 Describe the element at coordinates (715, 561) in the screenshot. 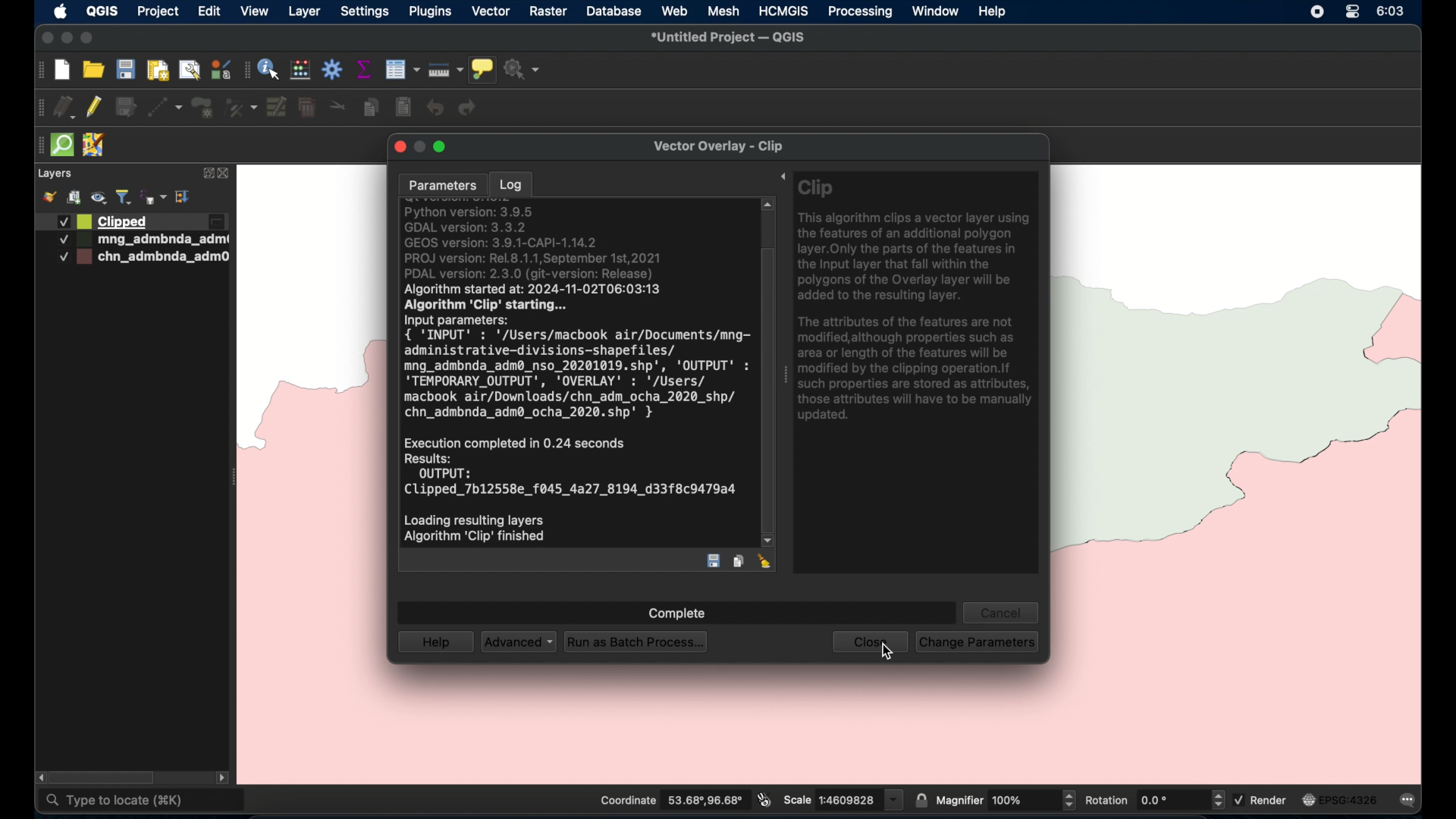

I see `save log entry` at that location.